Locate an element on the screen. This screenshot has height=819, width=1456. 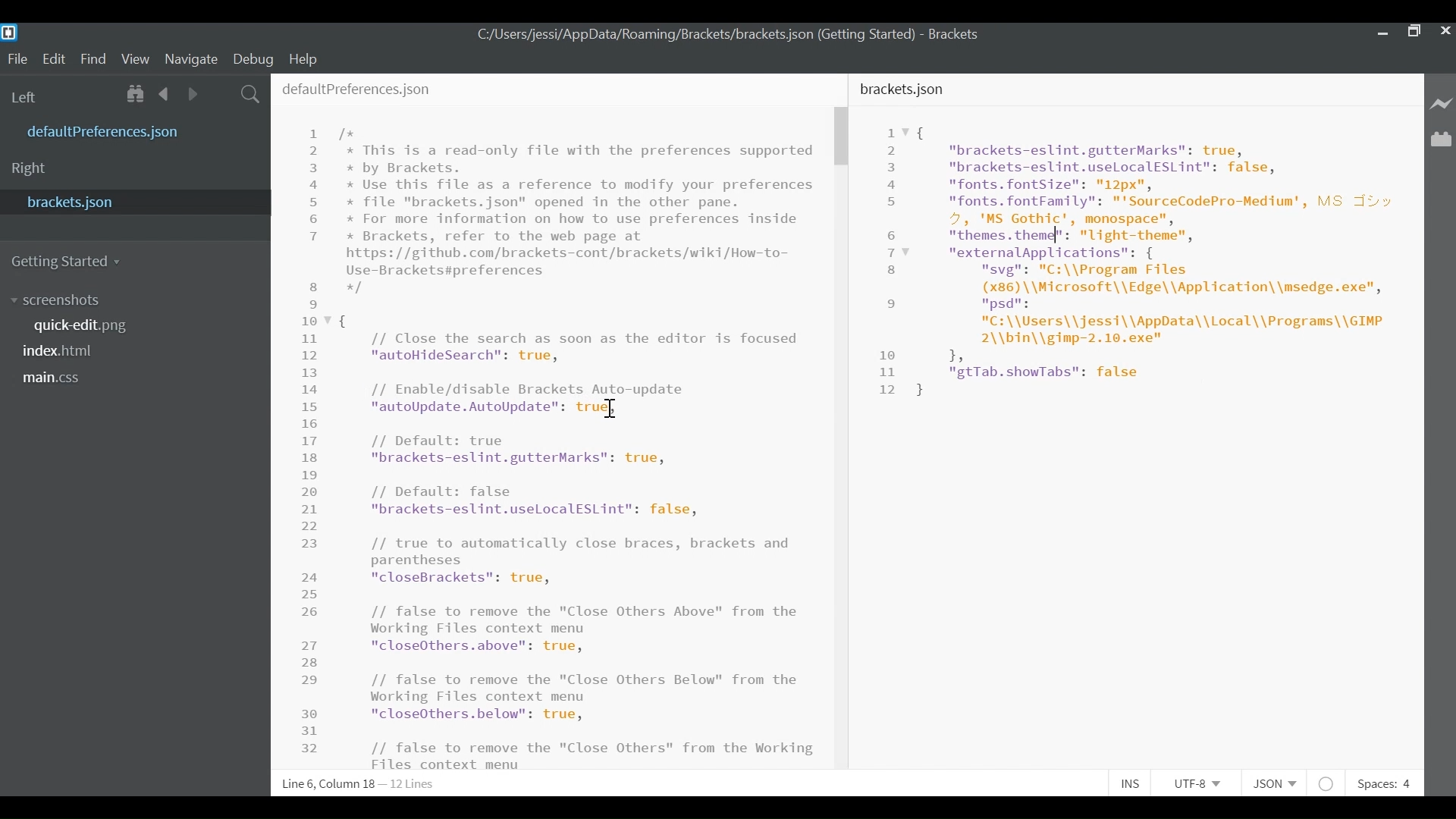
Live Preview is located at coordinates (1439, 102).